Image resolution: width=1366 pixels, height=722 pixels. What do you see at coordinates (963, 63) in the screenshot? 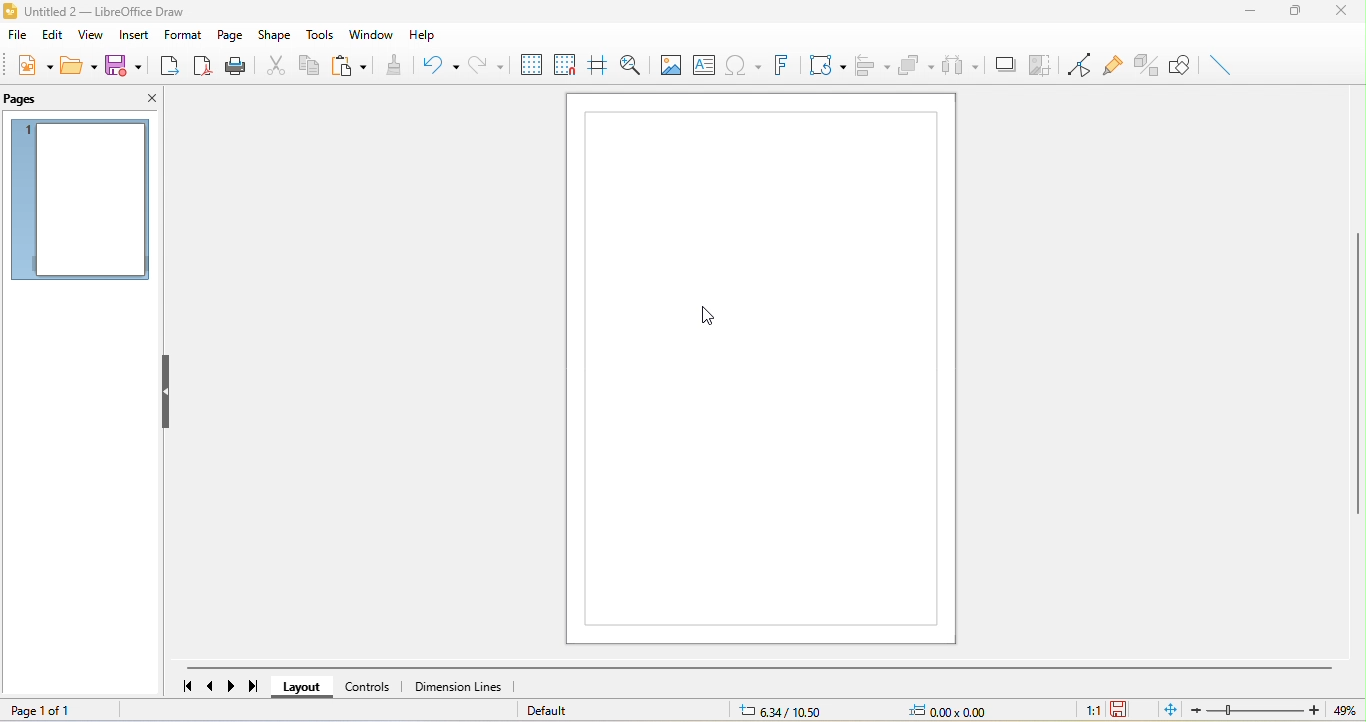
I see `select at least three object to distribute` at bounding box center [963, 63].